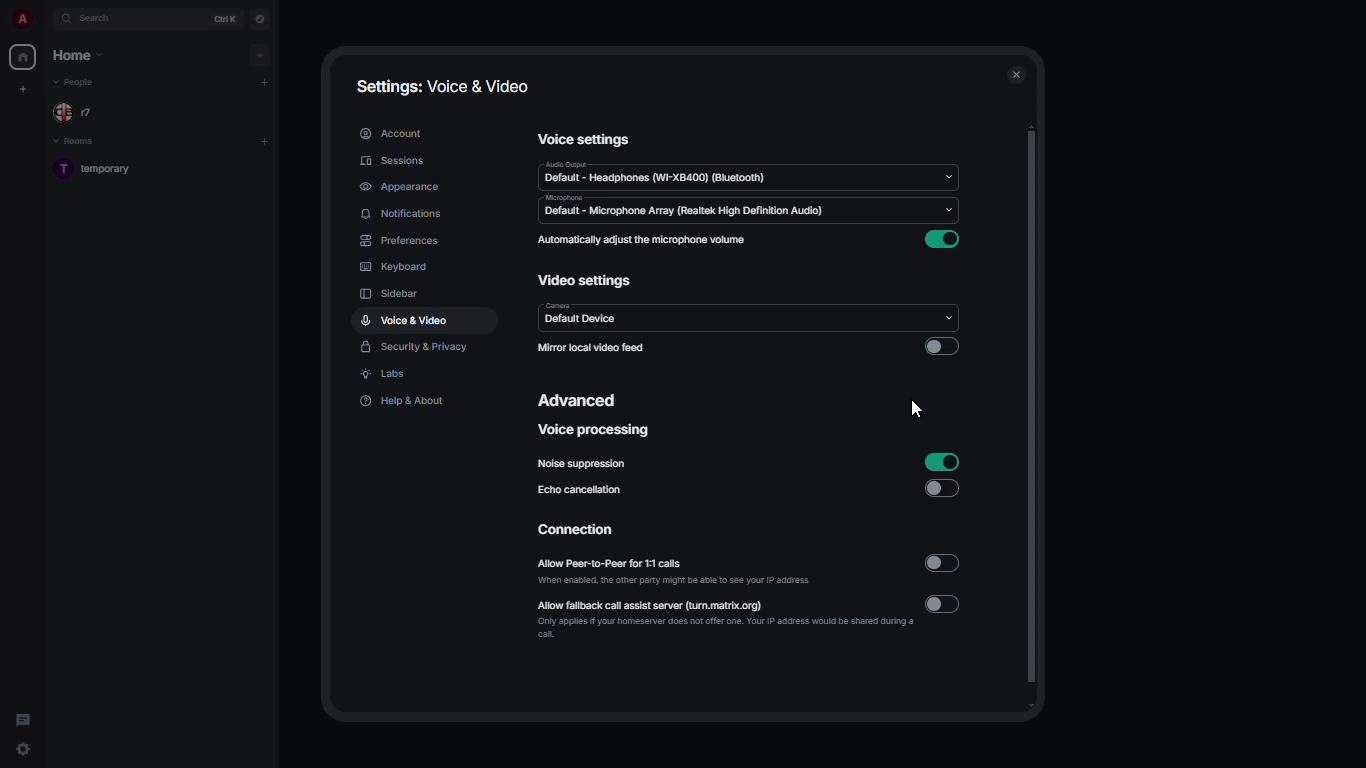  What do you see at coordinates (584, 138) in the screenshot?
I see `voice settings` at bounding box center [584, 138].